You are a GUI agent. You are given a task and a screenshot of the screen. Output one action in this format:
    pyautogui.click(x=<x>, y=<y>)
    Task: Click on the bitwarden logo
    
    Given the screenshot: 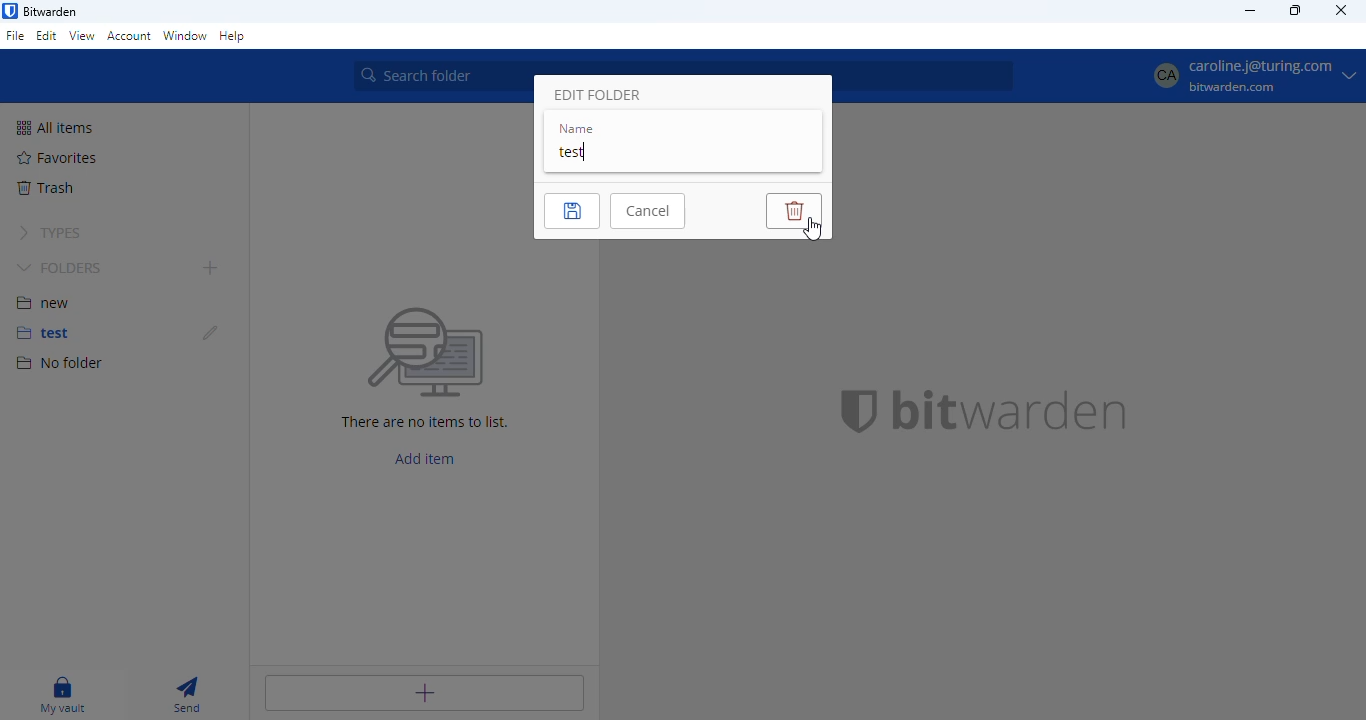 What is the action you would take?
    pyautogui.click(x=857, y=408)
    